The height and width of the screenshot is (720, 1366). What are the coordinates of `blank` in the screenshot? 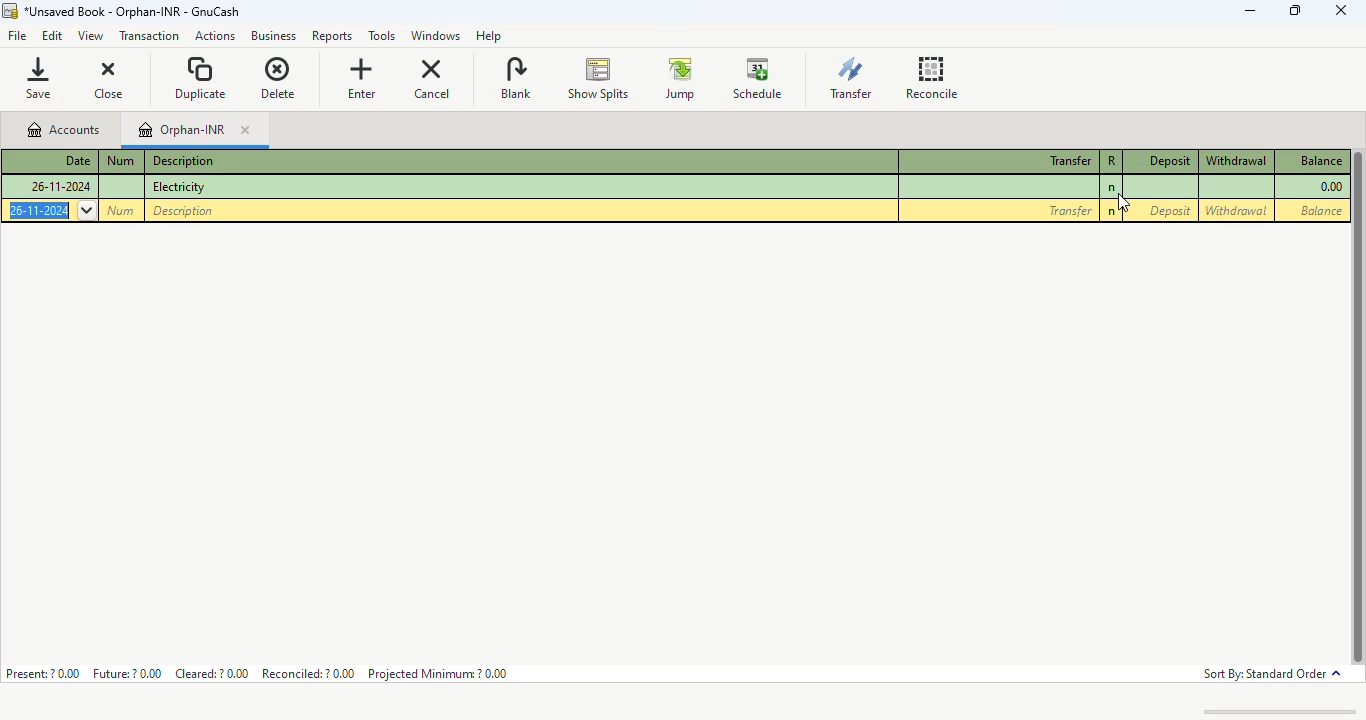 It's located at (515, 77).